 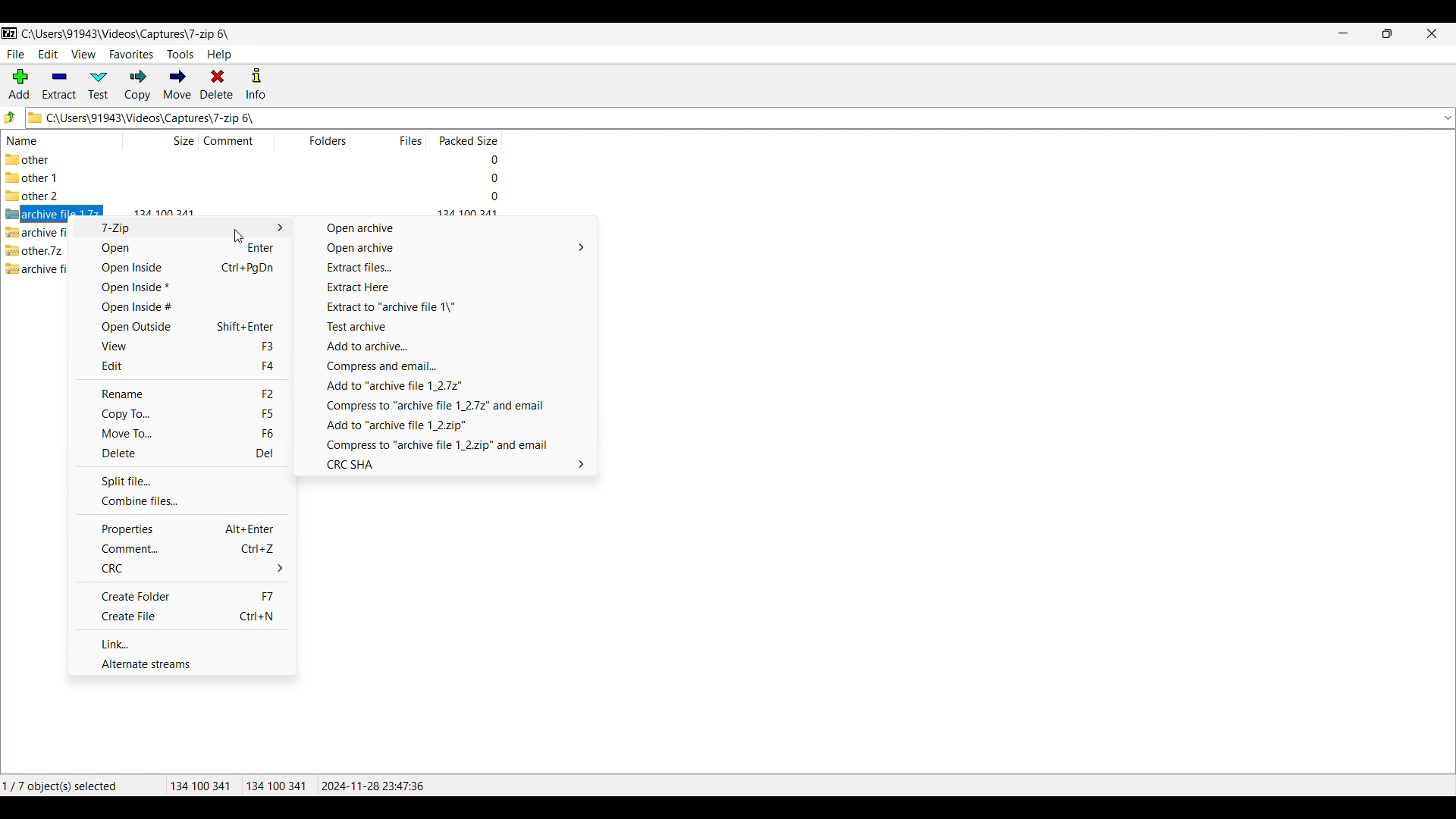 I want to click on Open archive, so click(x=447, y=228).